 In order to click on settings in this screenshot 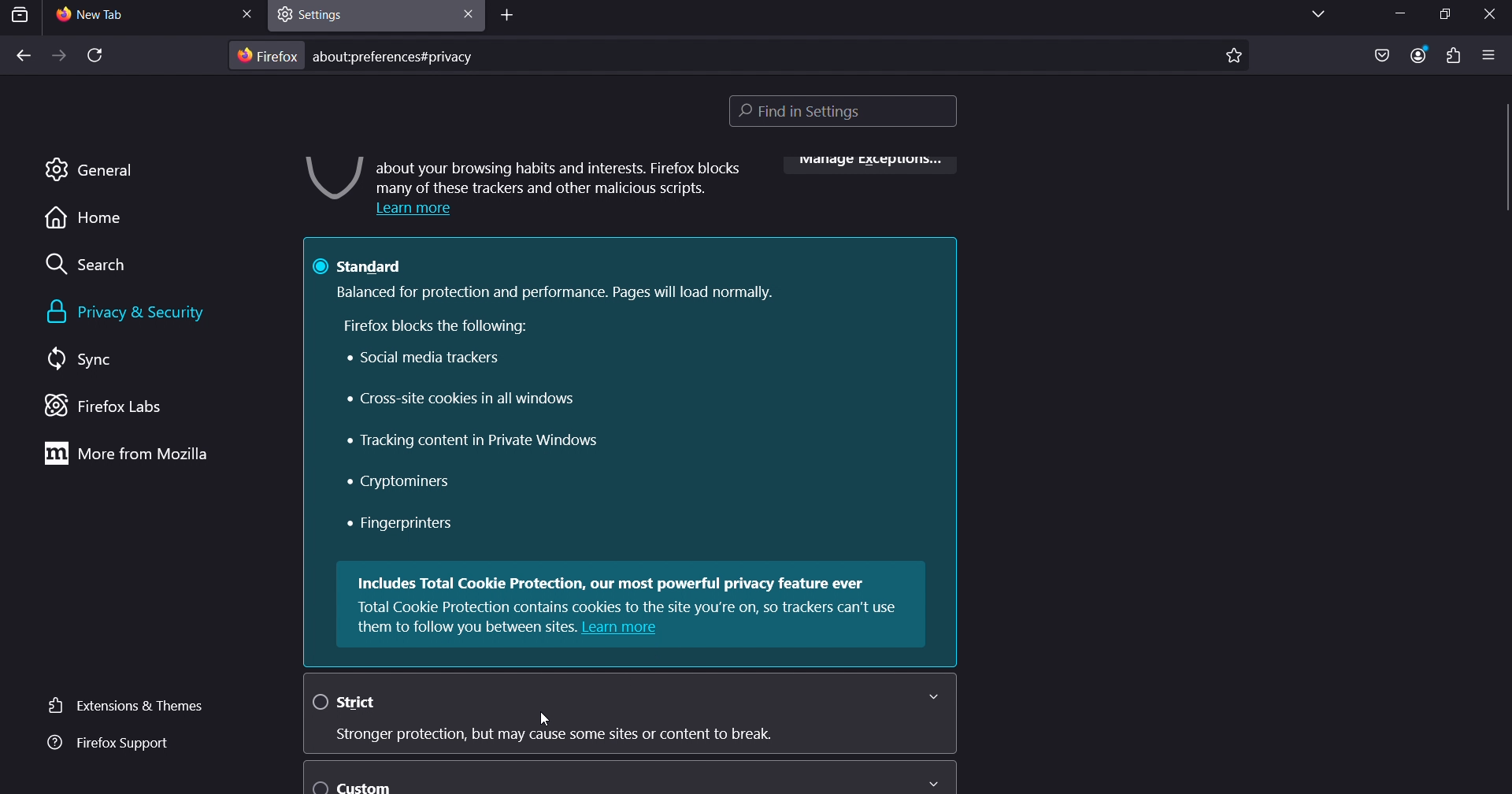, I will do `click(322, 13)`.